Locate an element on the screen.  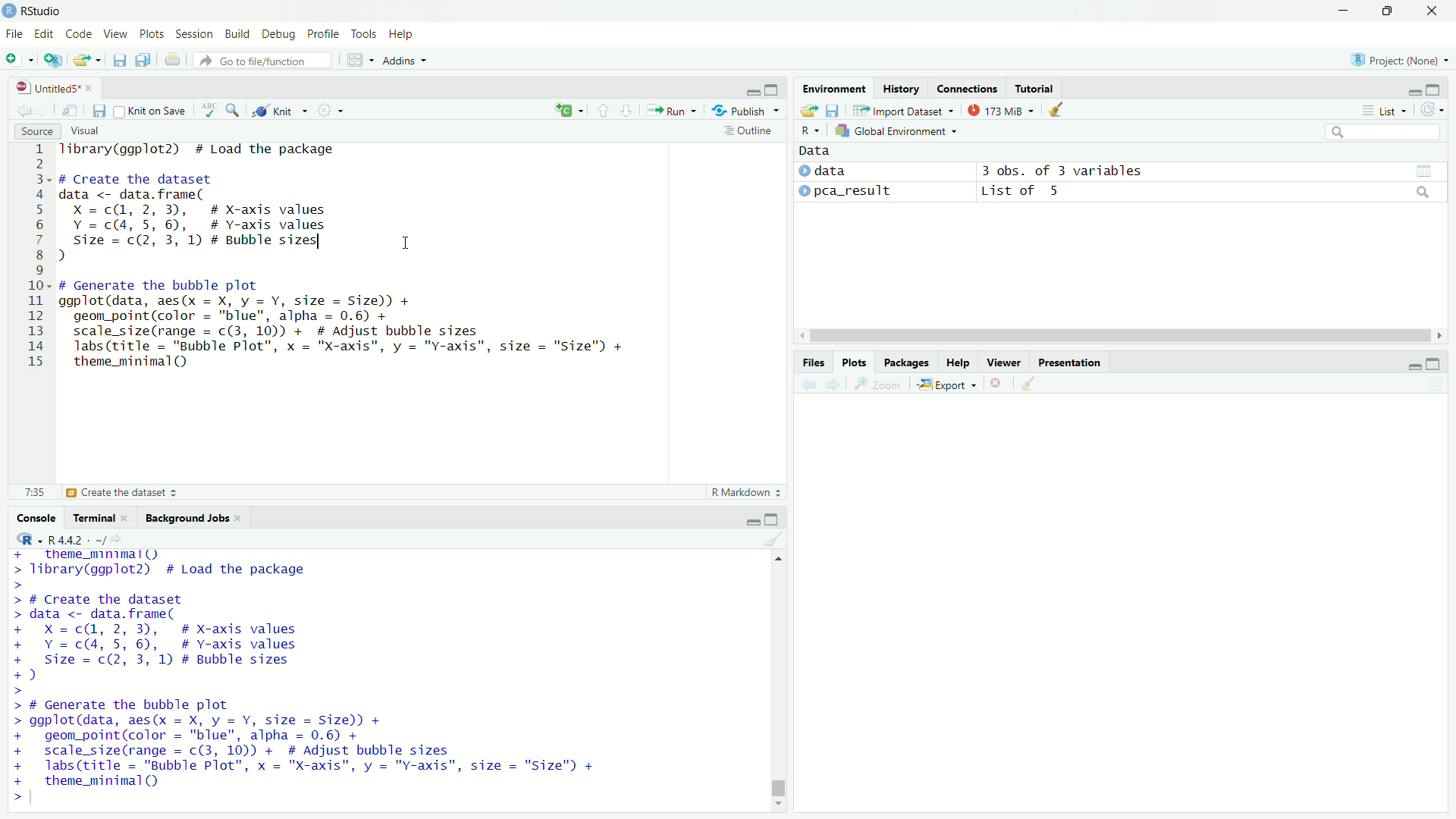
save workspace as is located at coordinates (833, 110).